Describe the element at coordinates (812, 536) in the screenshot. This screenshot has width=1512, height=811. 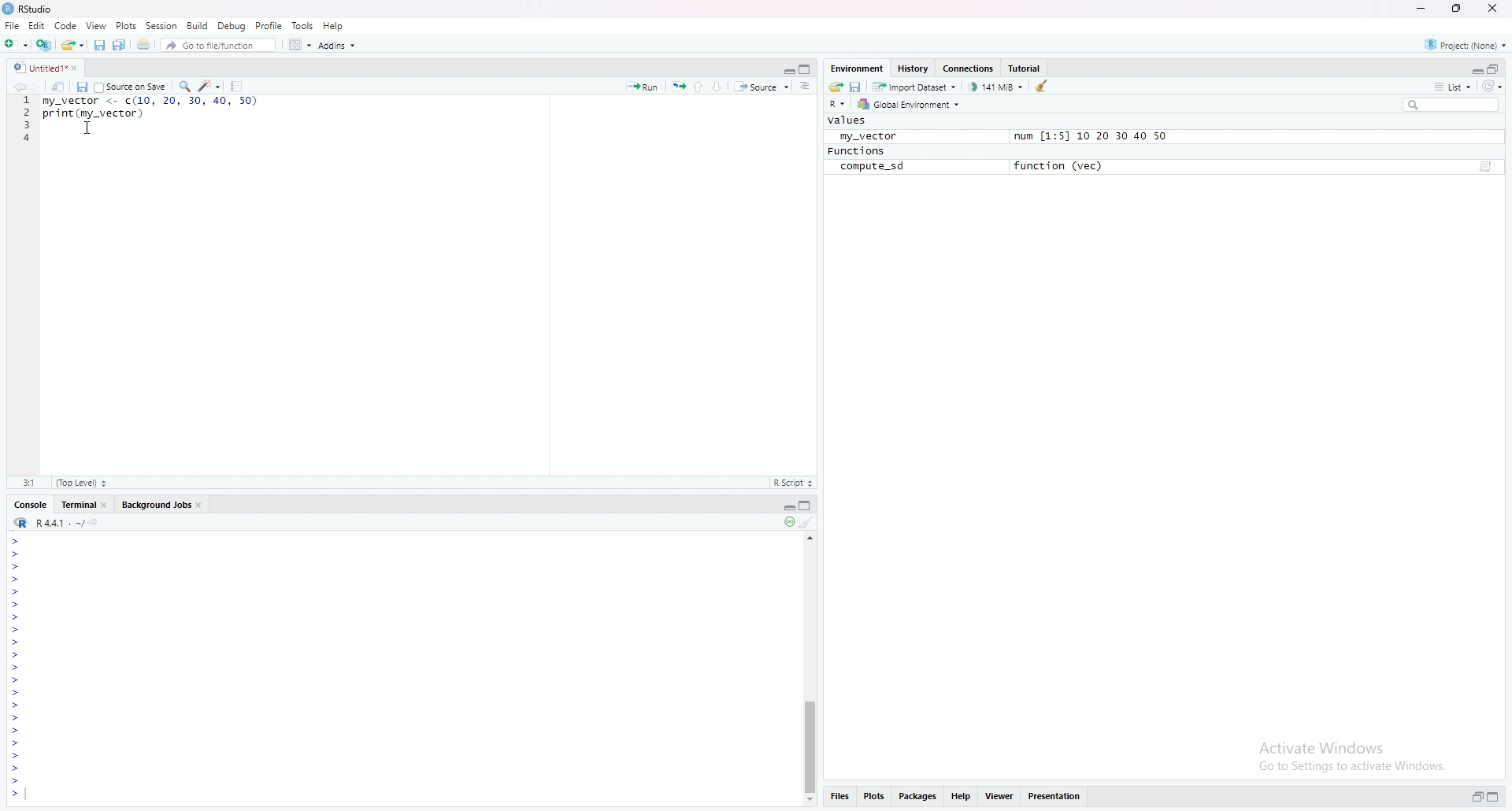
I see `Up` at that location.